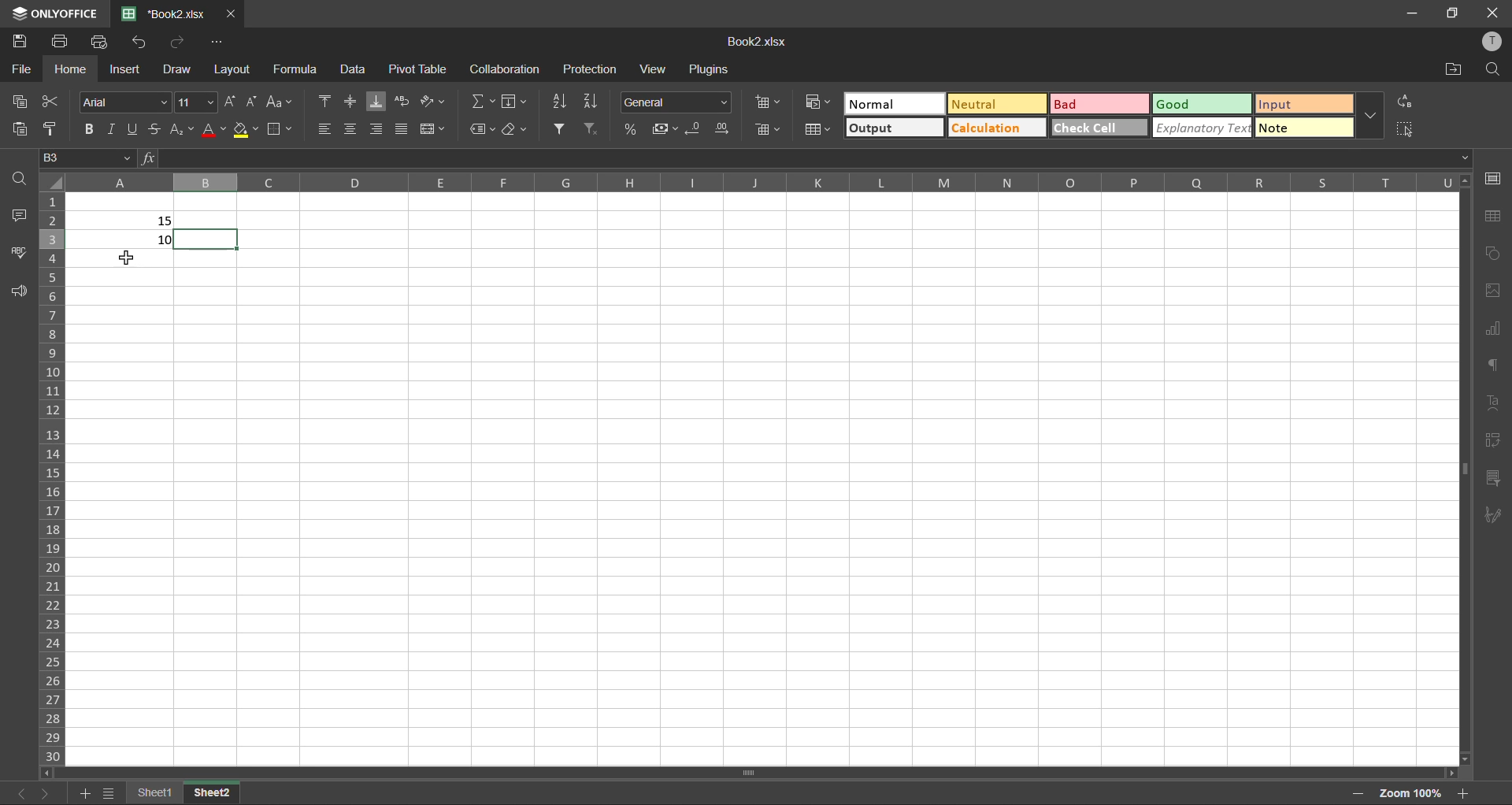 Image resolution: width=1512 pixels, height=805 pixels. I want to click on file, so click(20, 69).